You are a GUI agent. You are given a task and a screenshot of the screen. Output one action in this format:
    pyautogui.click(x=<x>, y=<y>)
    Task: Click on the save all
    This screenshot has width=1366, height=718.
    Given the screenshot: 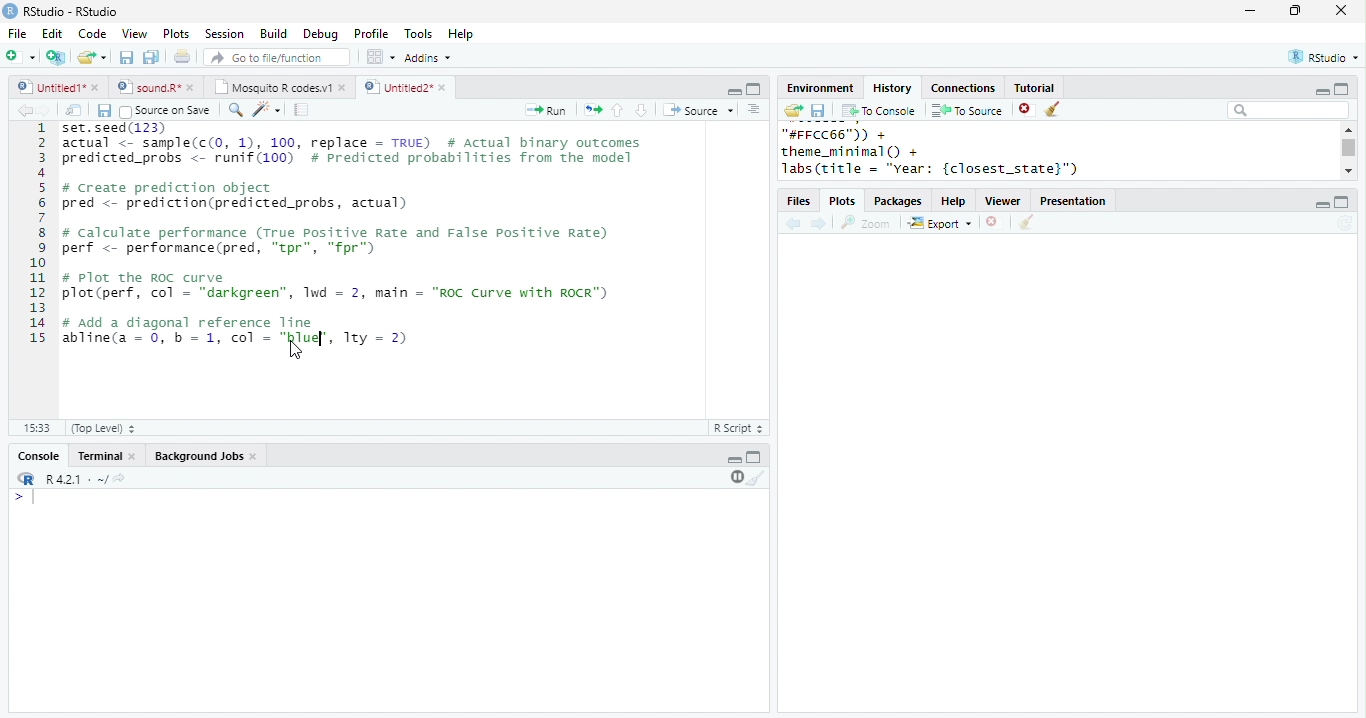 What is the action you would take?
    pyautogui.click(x=151, y=57)
    